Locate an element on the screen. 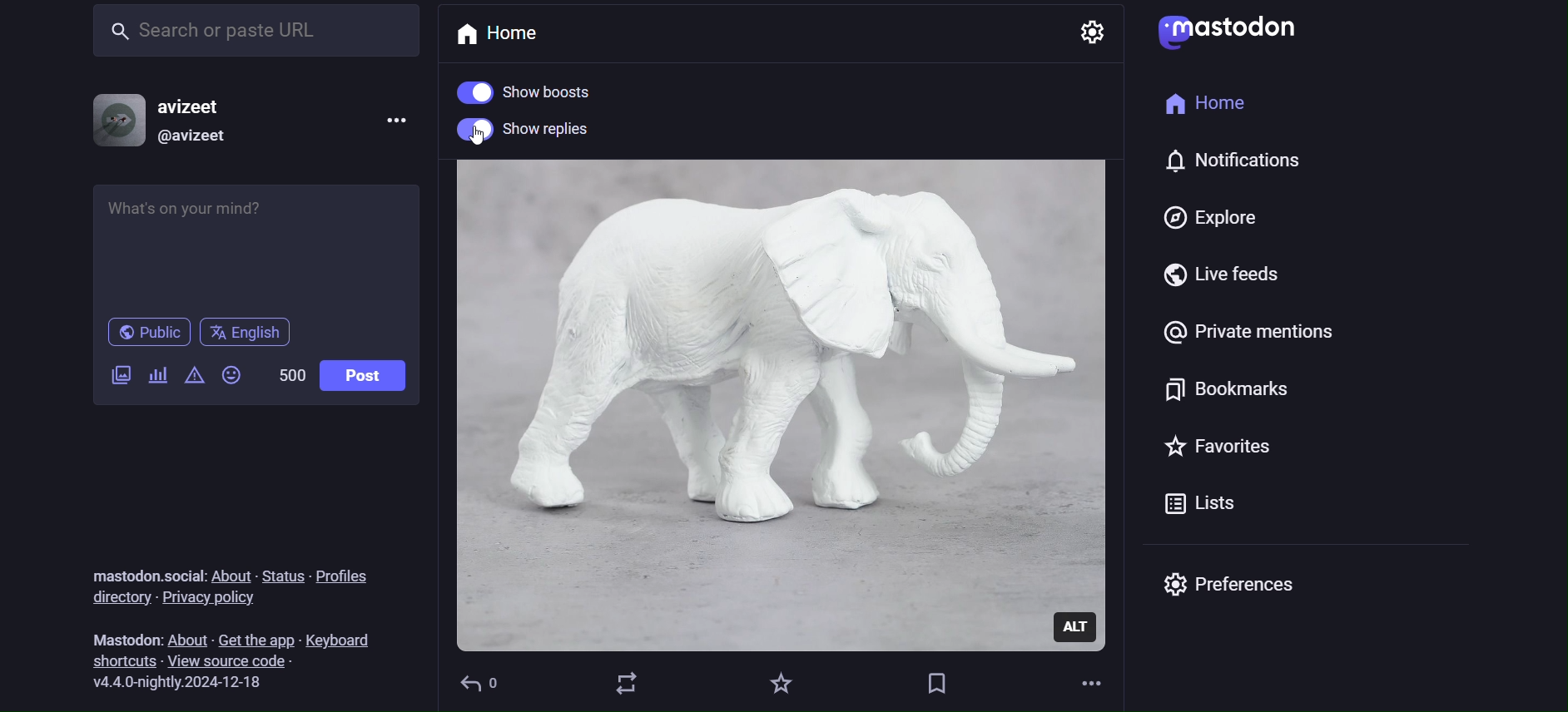 The image size is (1568, 712). more is located at coordinates (1095, 684).